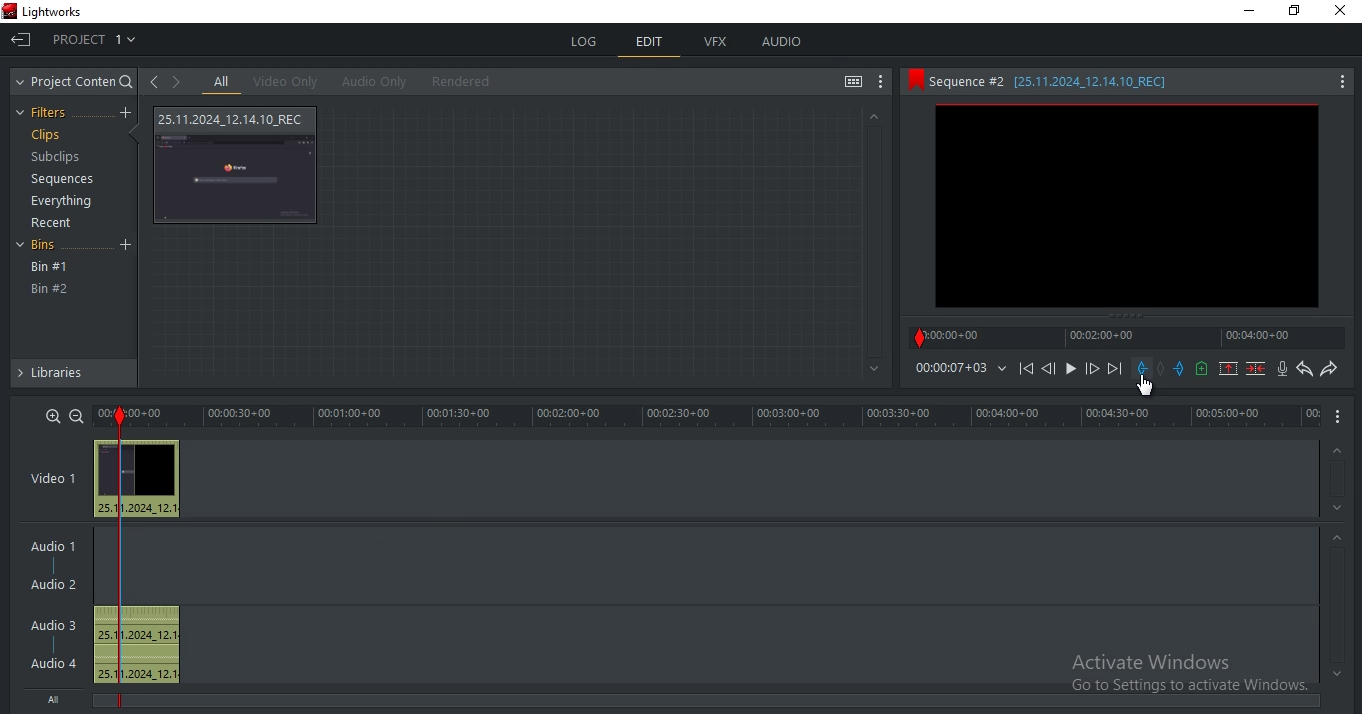  What do you see at coordinates (45, 135) in the screenshot?
I see `clips` at bounding box center [45, 135].